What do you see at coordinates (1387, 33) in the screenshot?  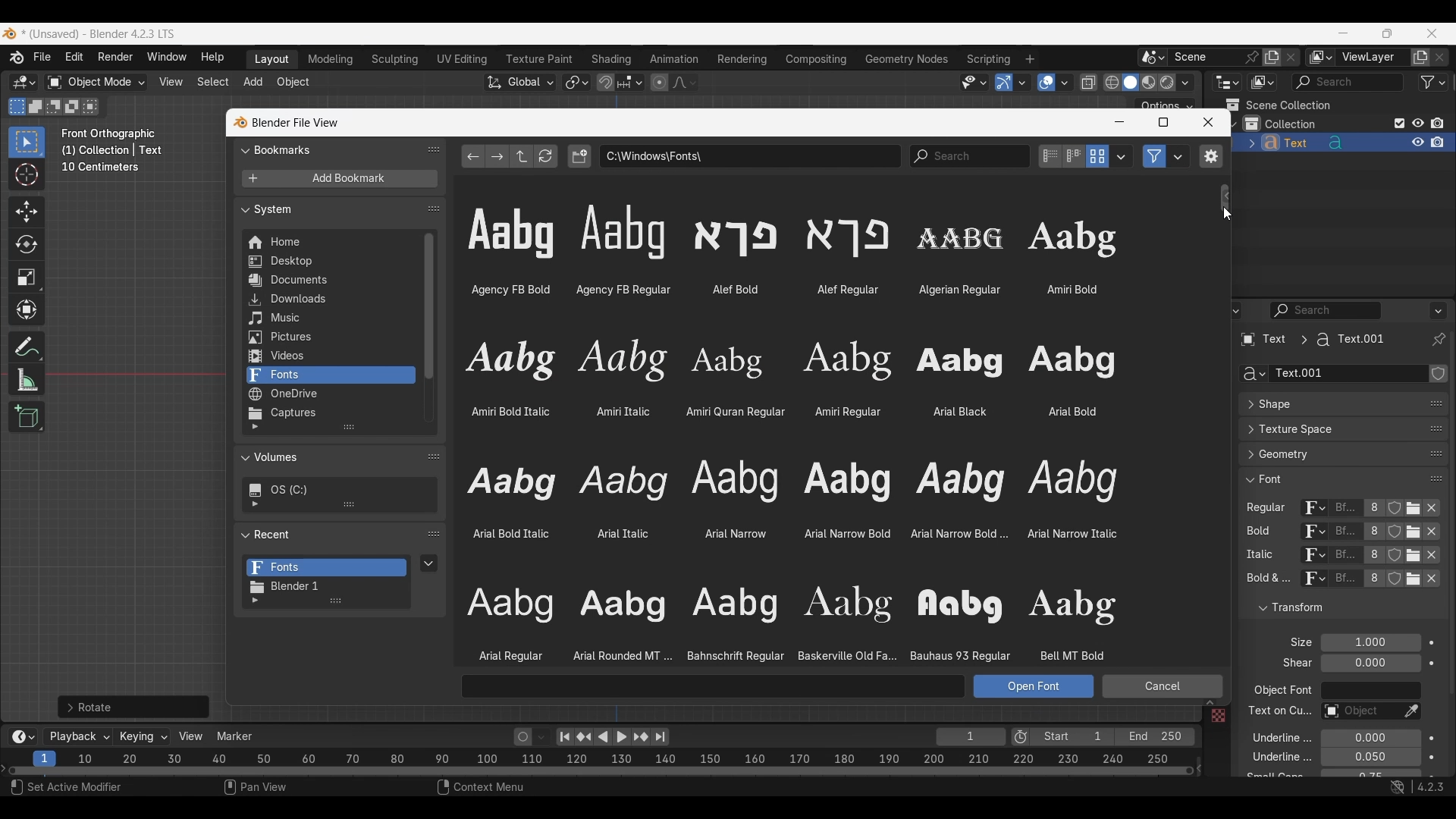 I see `Show interface in a smaller tab` at bounding box center [1387, 33].